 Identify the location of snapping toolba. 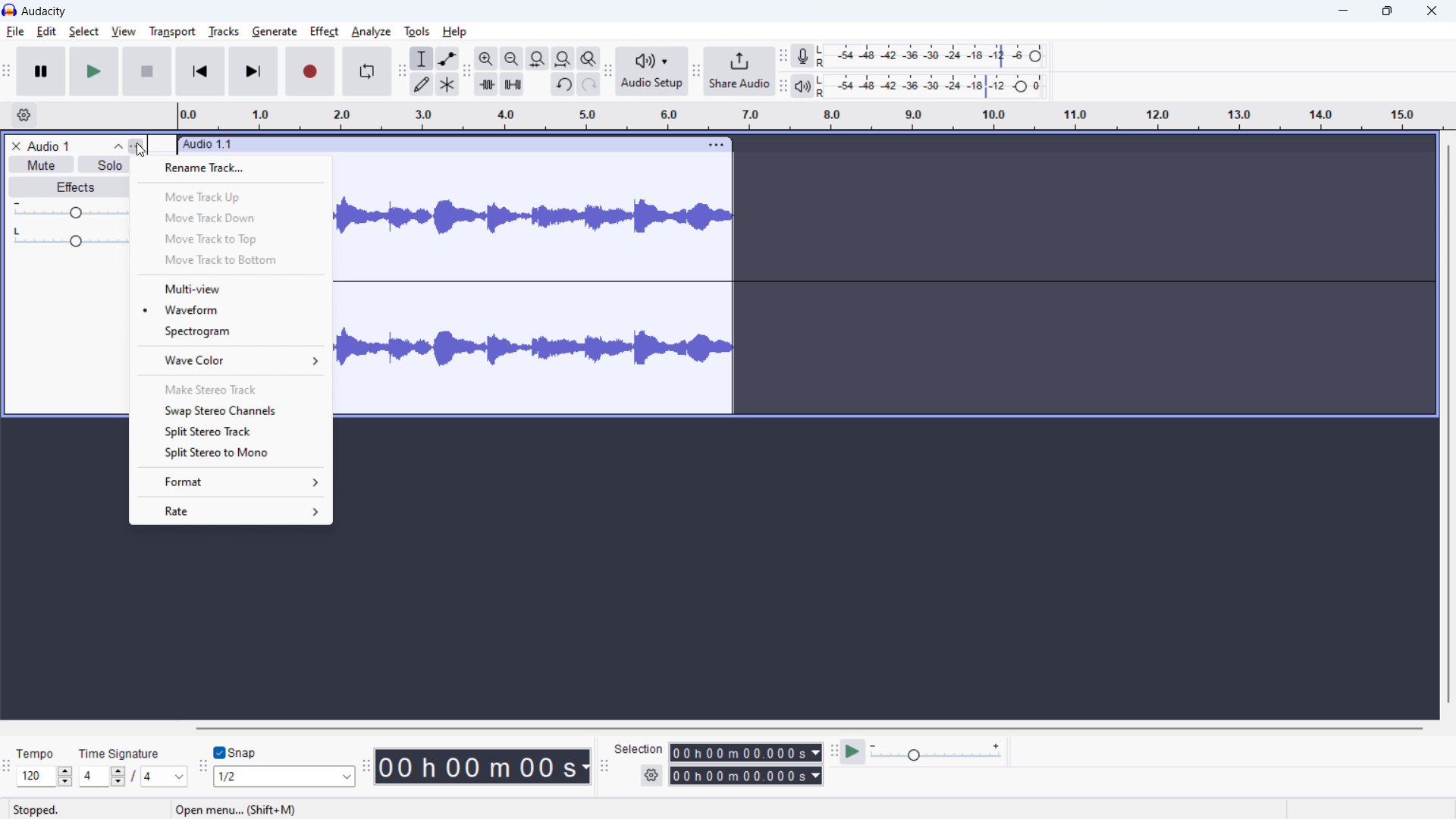
(201, 767).